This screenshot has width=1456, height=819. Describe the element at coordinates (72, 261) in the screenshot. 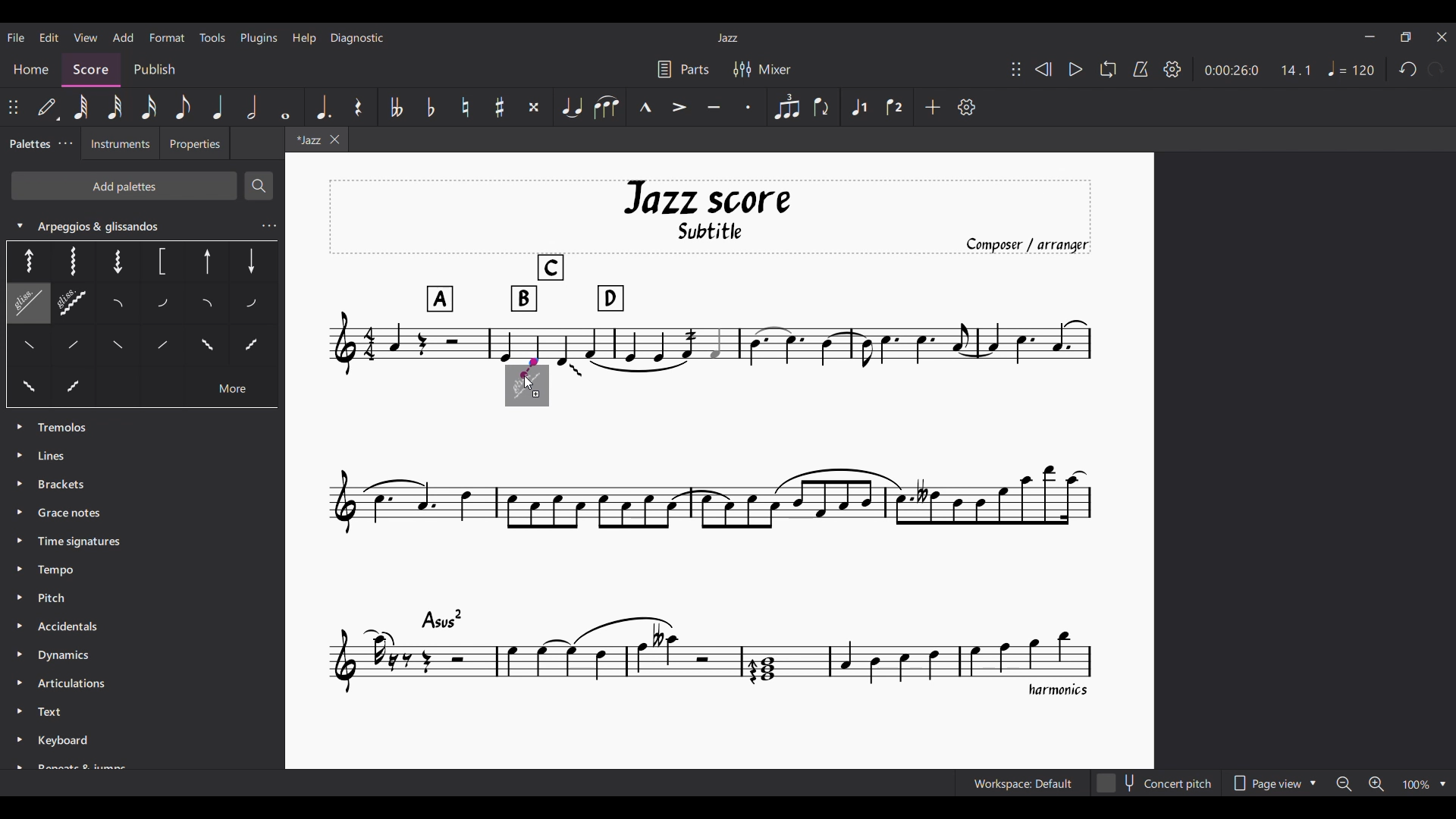

I see `plate2` at that location.